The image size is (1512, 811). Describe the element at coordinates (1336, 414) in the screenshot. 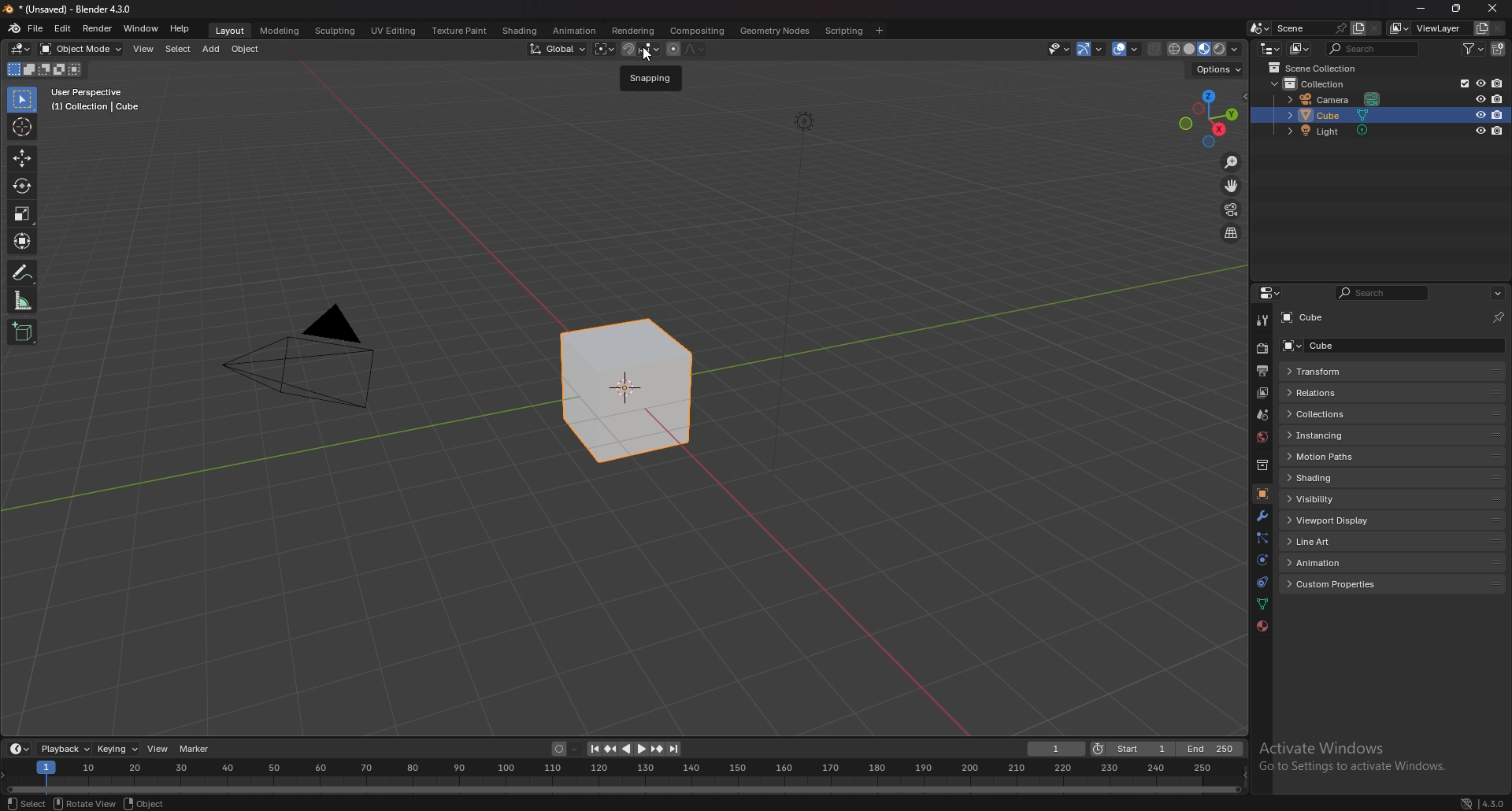

I see `collections` at that location.